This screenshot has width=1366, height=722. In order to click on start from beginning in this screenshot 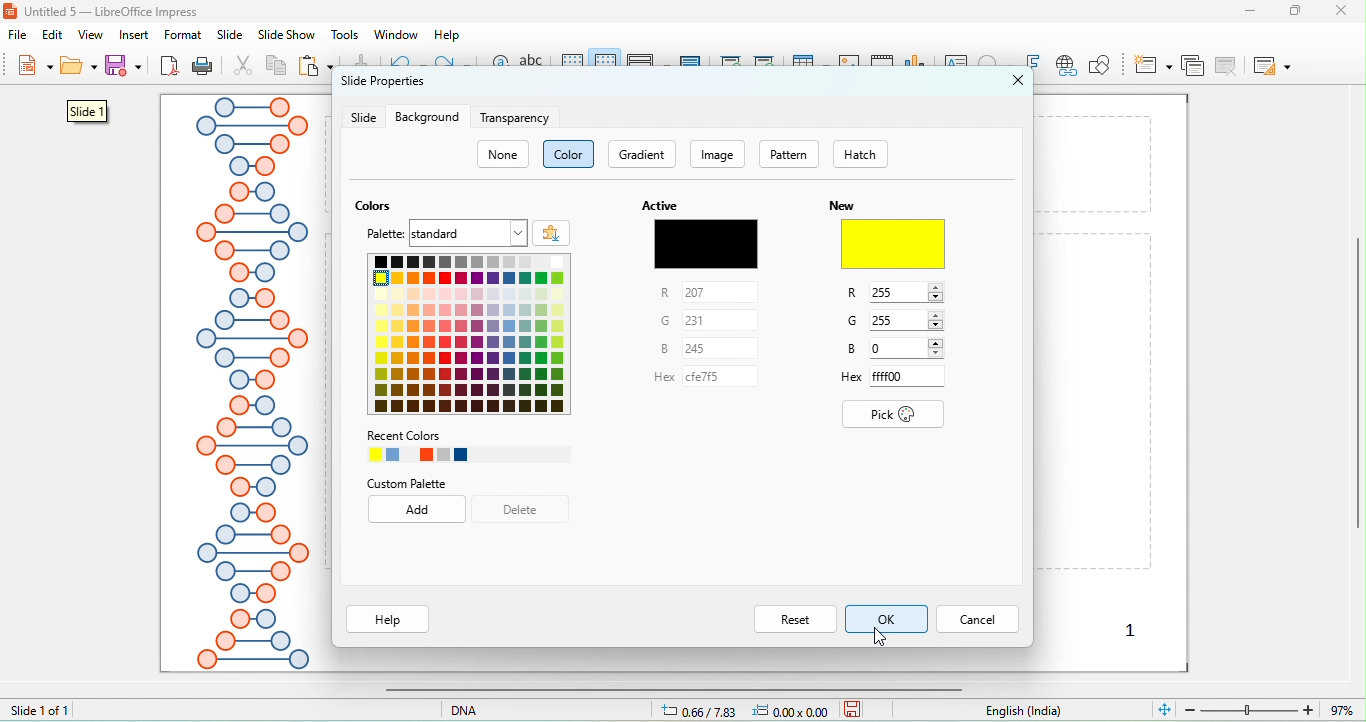, I will do `click(732, 65)`.